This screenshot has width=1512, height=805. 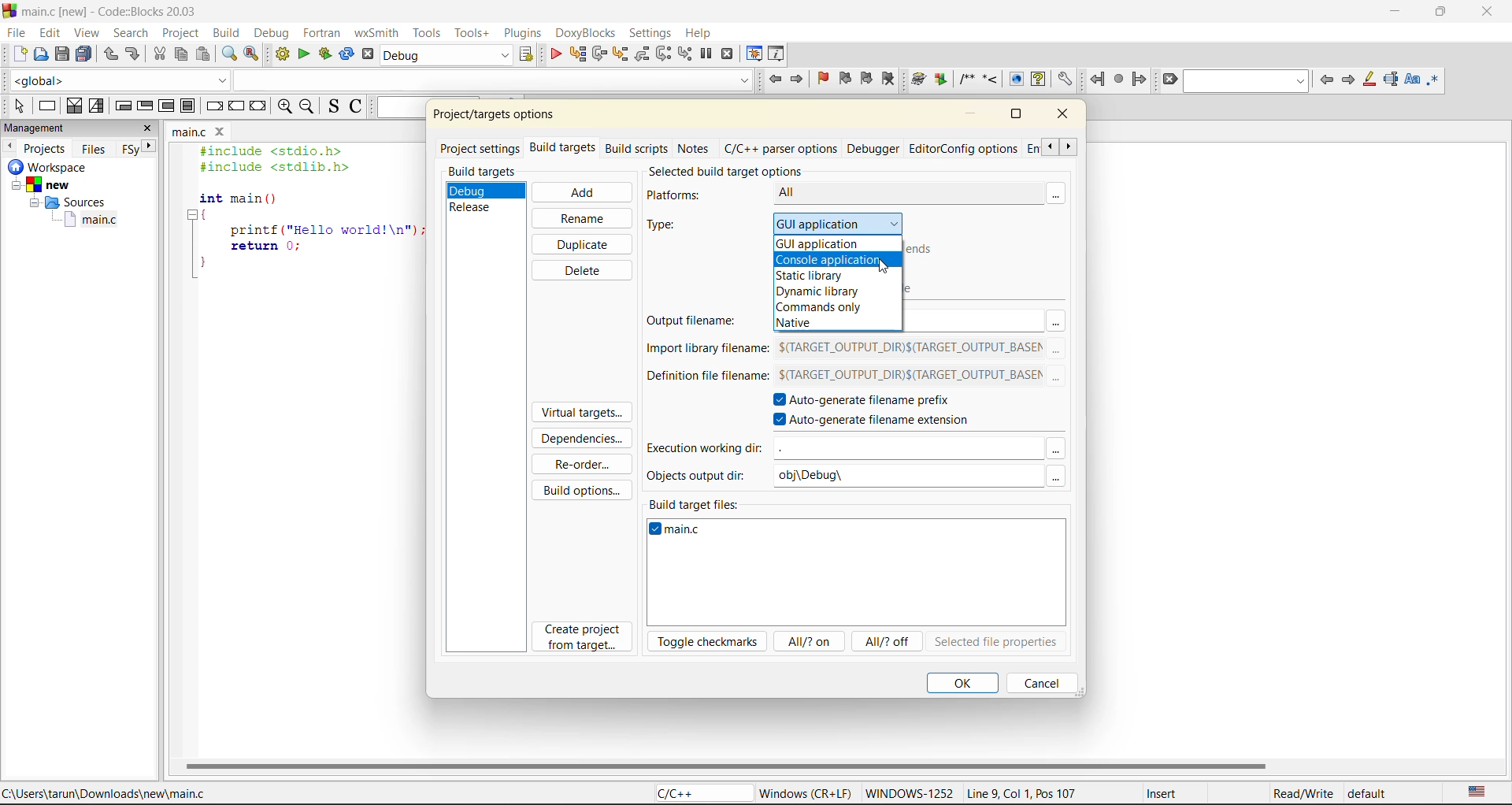 I want to click on platforms, so click(x=683, y=196).